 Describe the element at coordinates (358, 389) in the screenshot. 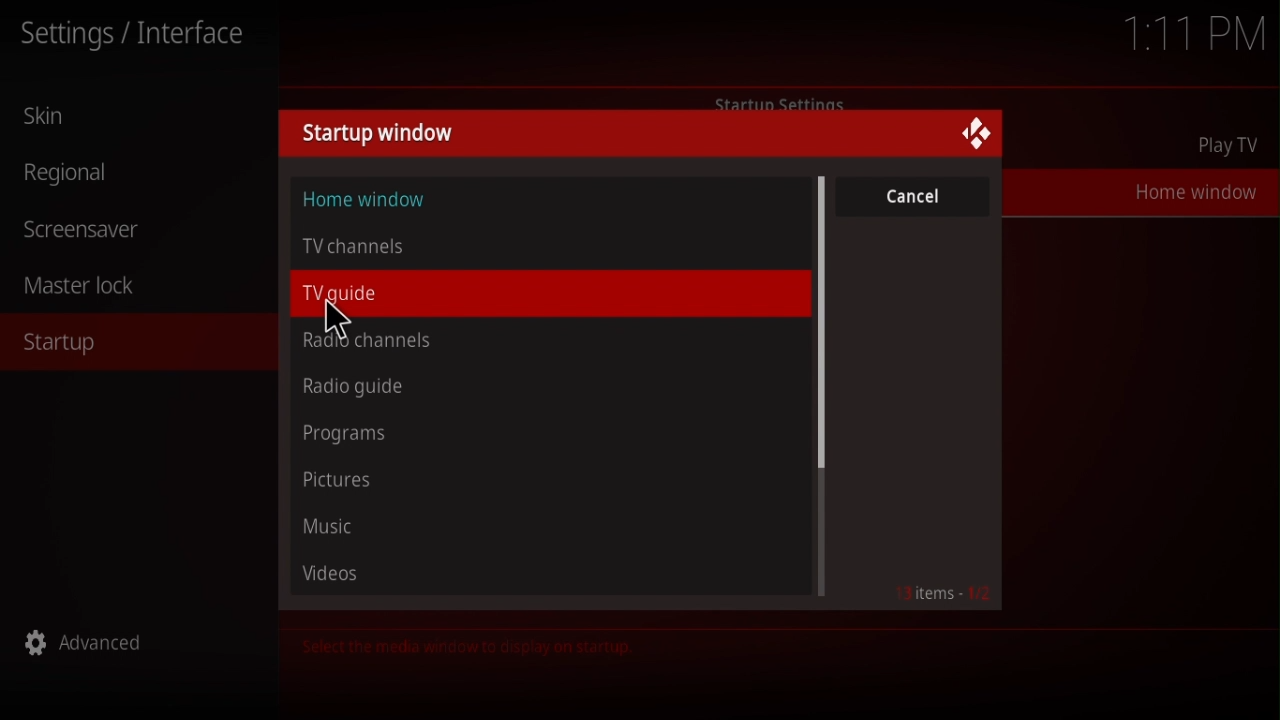

I see `radio guide` at that location.